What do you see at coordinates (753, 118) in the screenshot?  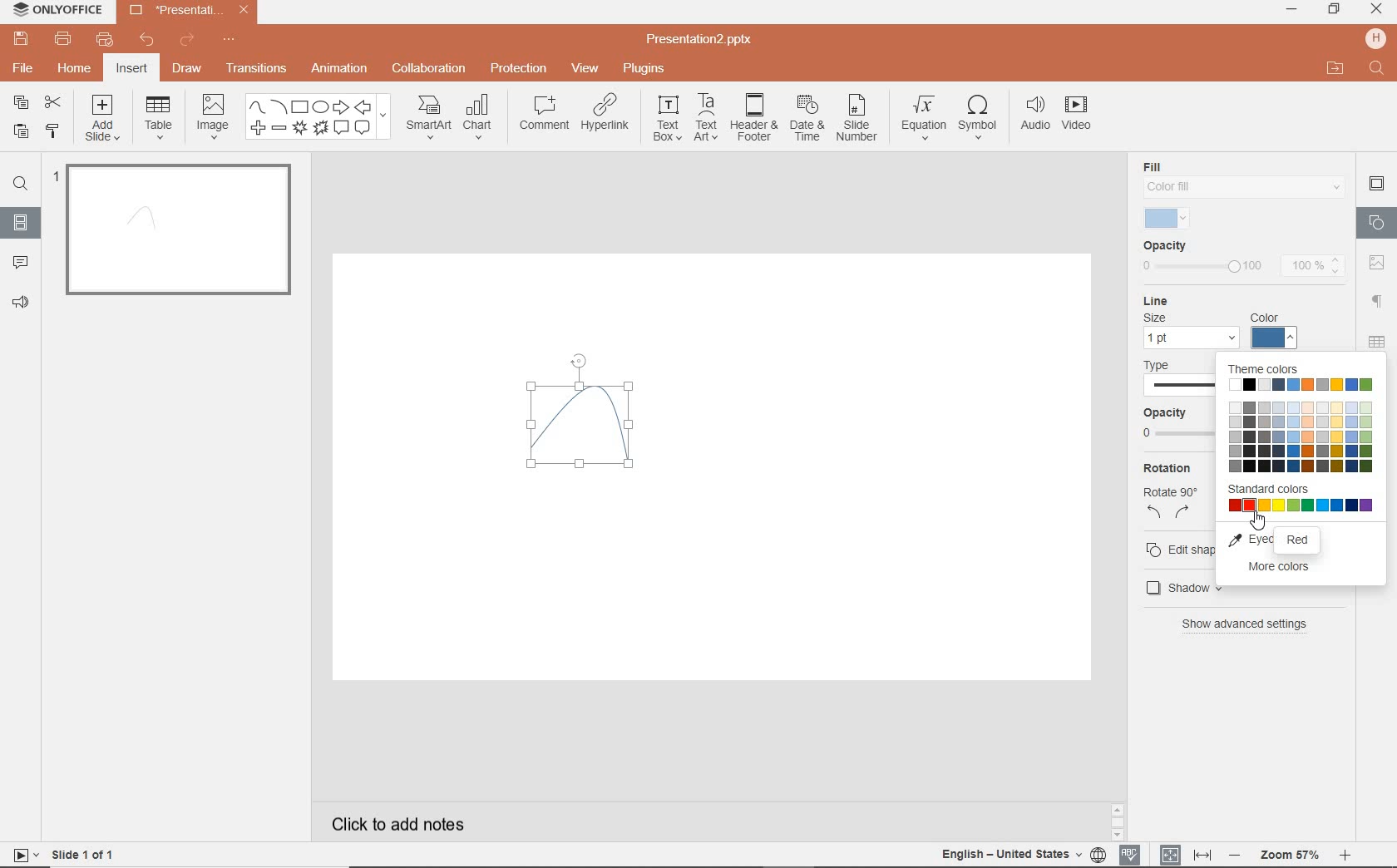 I see `HEADER & FOOTER` at bounding box center [753, 118].